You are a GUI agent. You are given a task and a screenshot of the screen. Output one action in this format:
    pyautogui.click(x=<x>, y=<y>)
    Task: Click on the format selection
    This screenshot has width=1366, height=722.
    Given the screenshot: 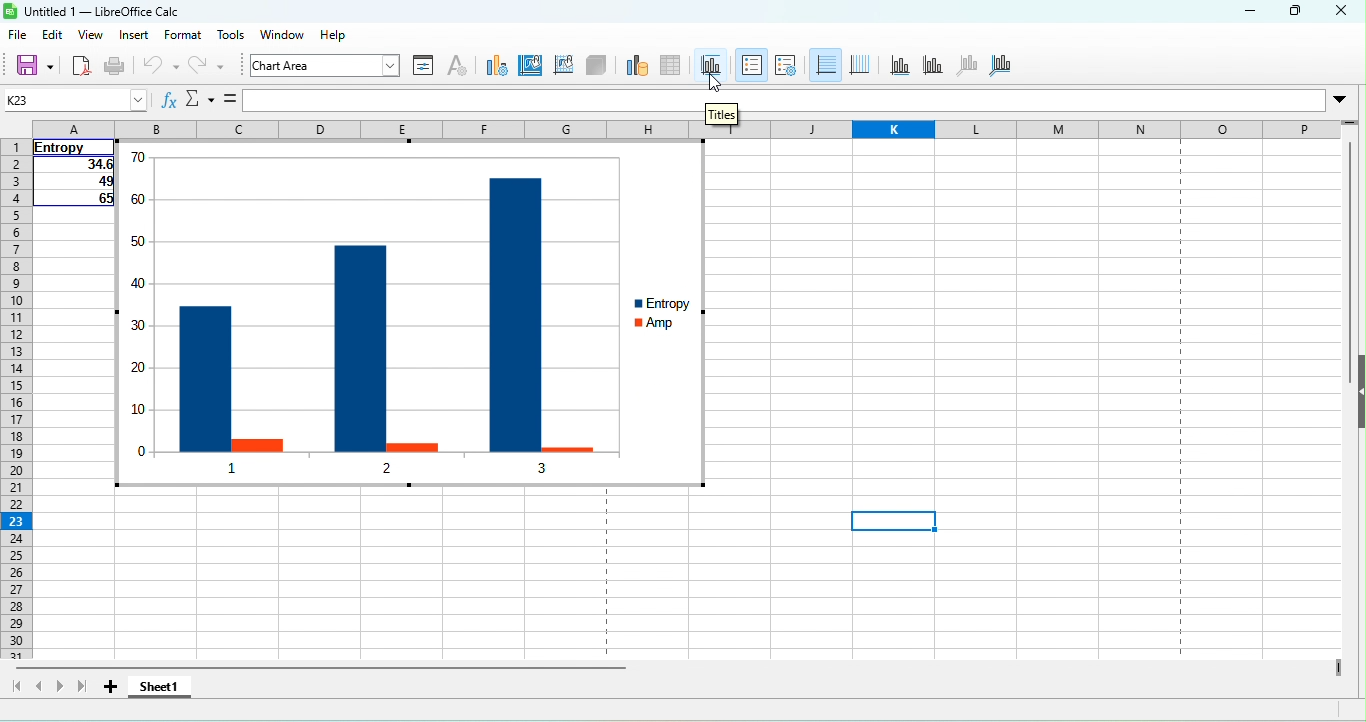 What is the action you would take?
    pyautogui.click(x=425, y=67)
    